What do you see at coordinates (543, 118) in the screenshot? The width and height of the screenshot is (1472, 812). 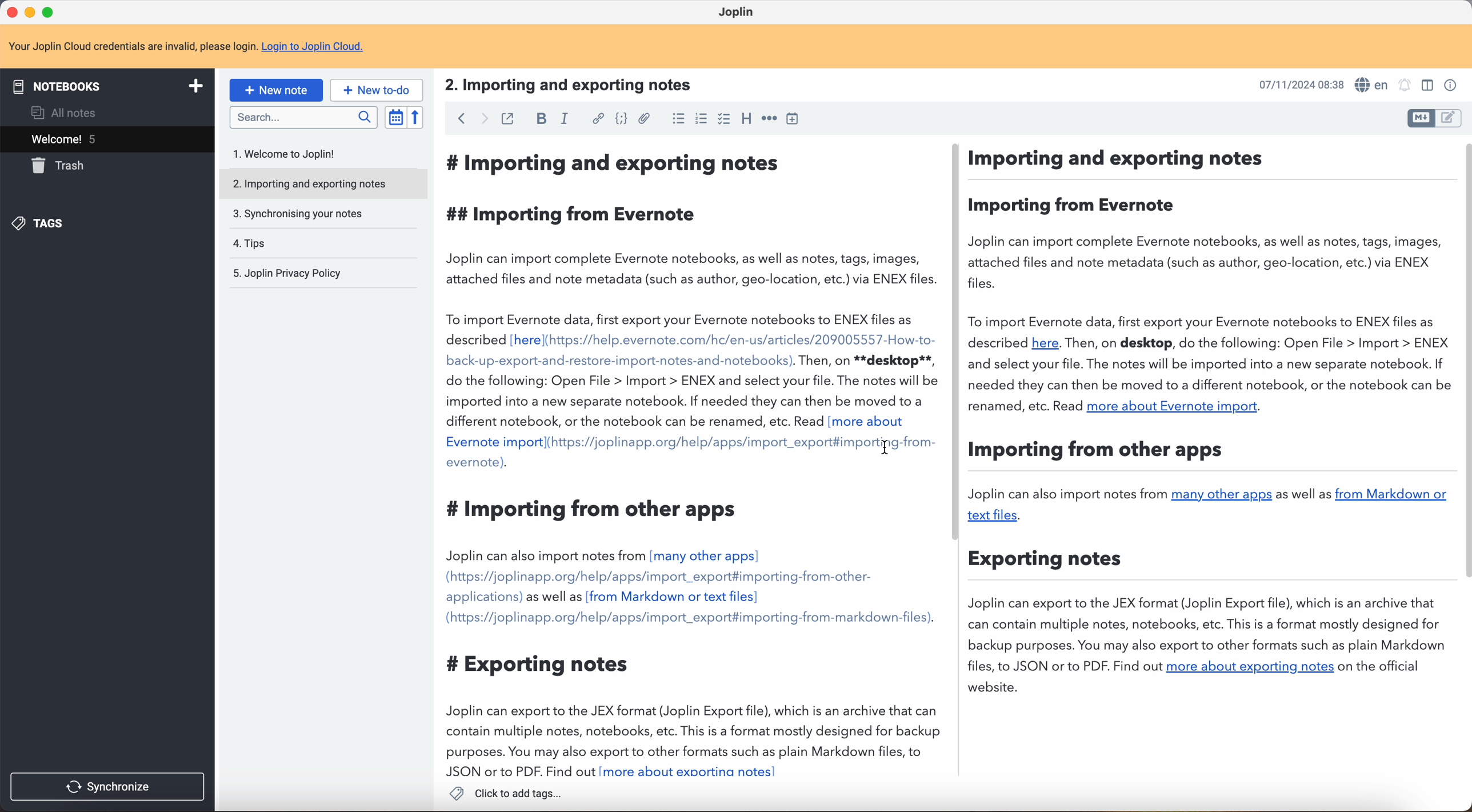 I see `bold` at bounding box center [543, 118].